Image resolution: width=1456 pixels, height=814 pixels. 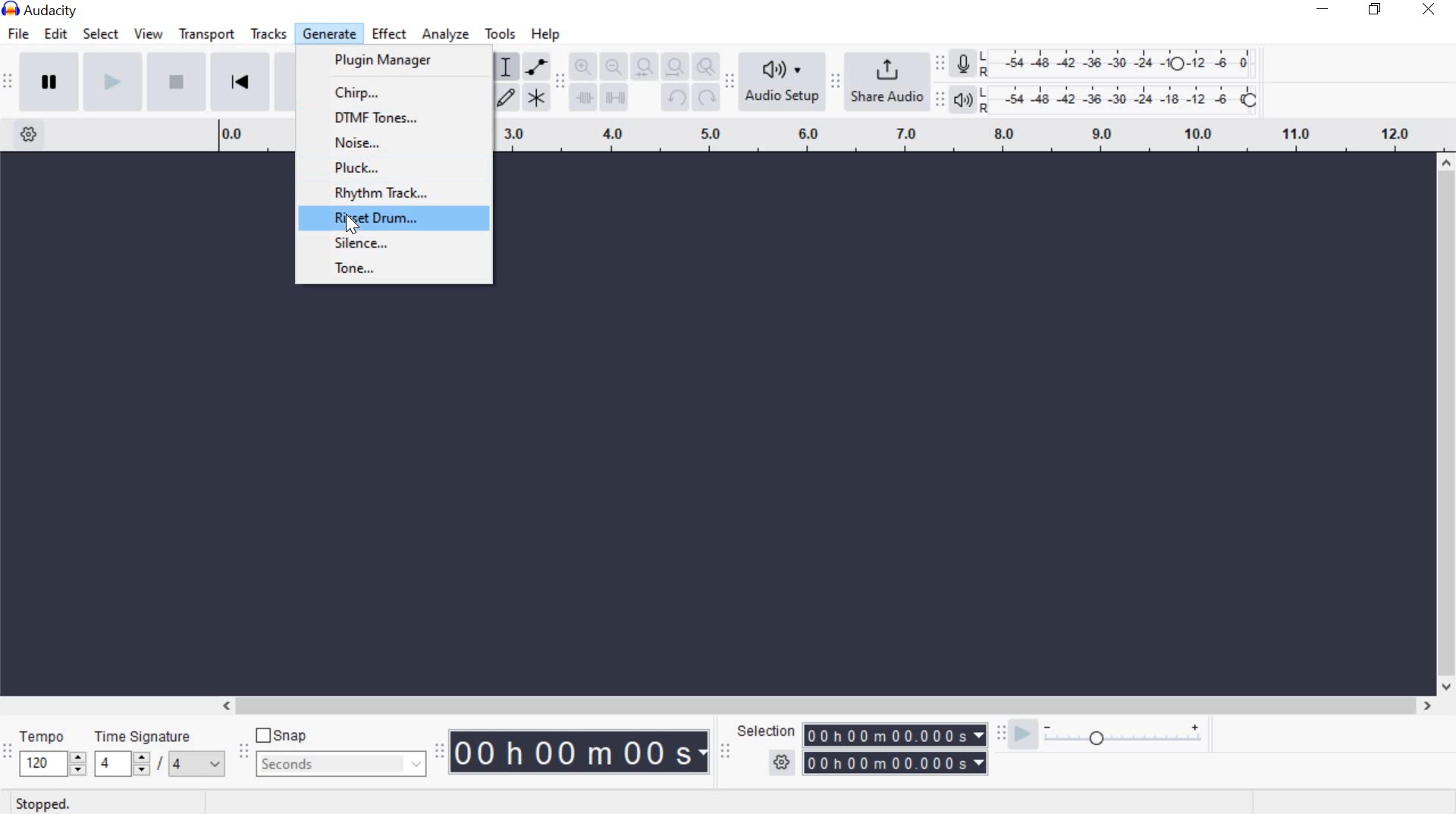 I want to click on Fit project to width, so click(x=672, y=65).